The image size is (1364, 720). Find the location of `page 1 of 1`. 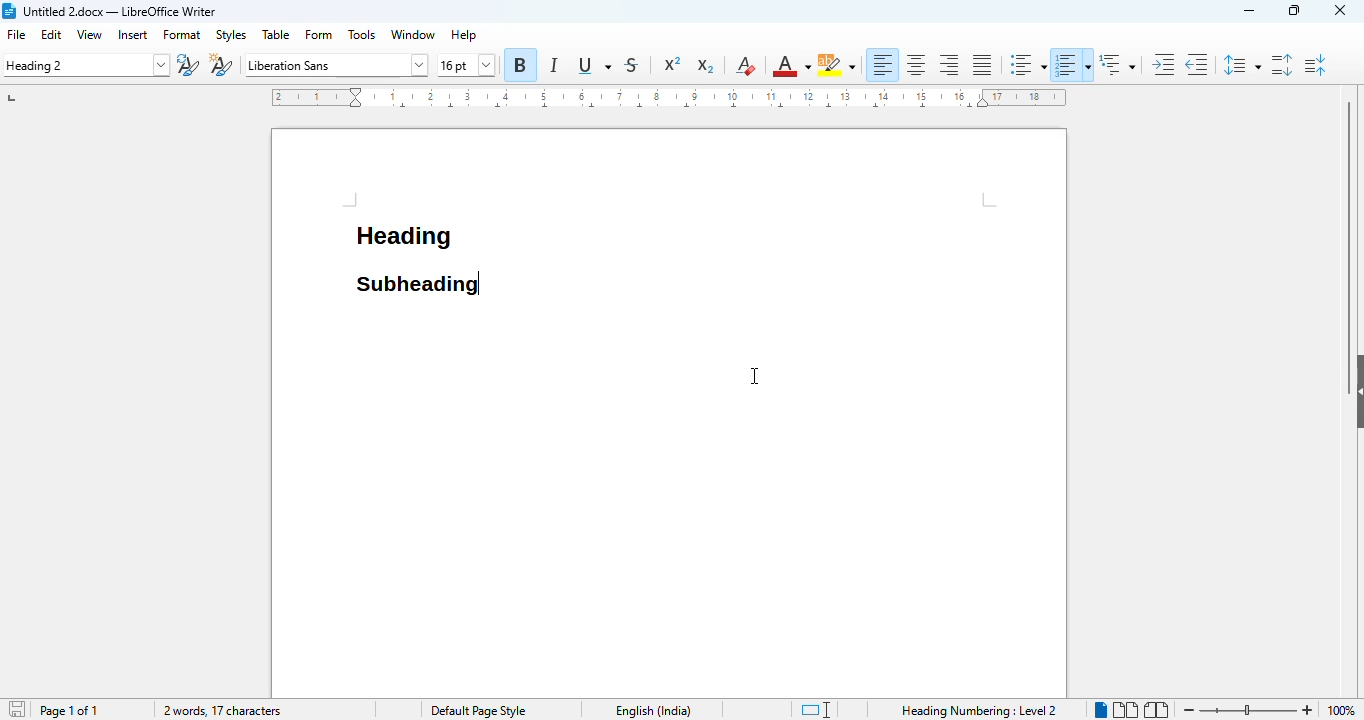

page 1 of 1 is located at coordinates (69, 711).